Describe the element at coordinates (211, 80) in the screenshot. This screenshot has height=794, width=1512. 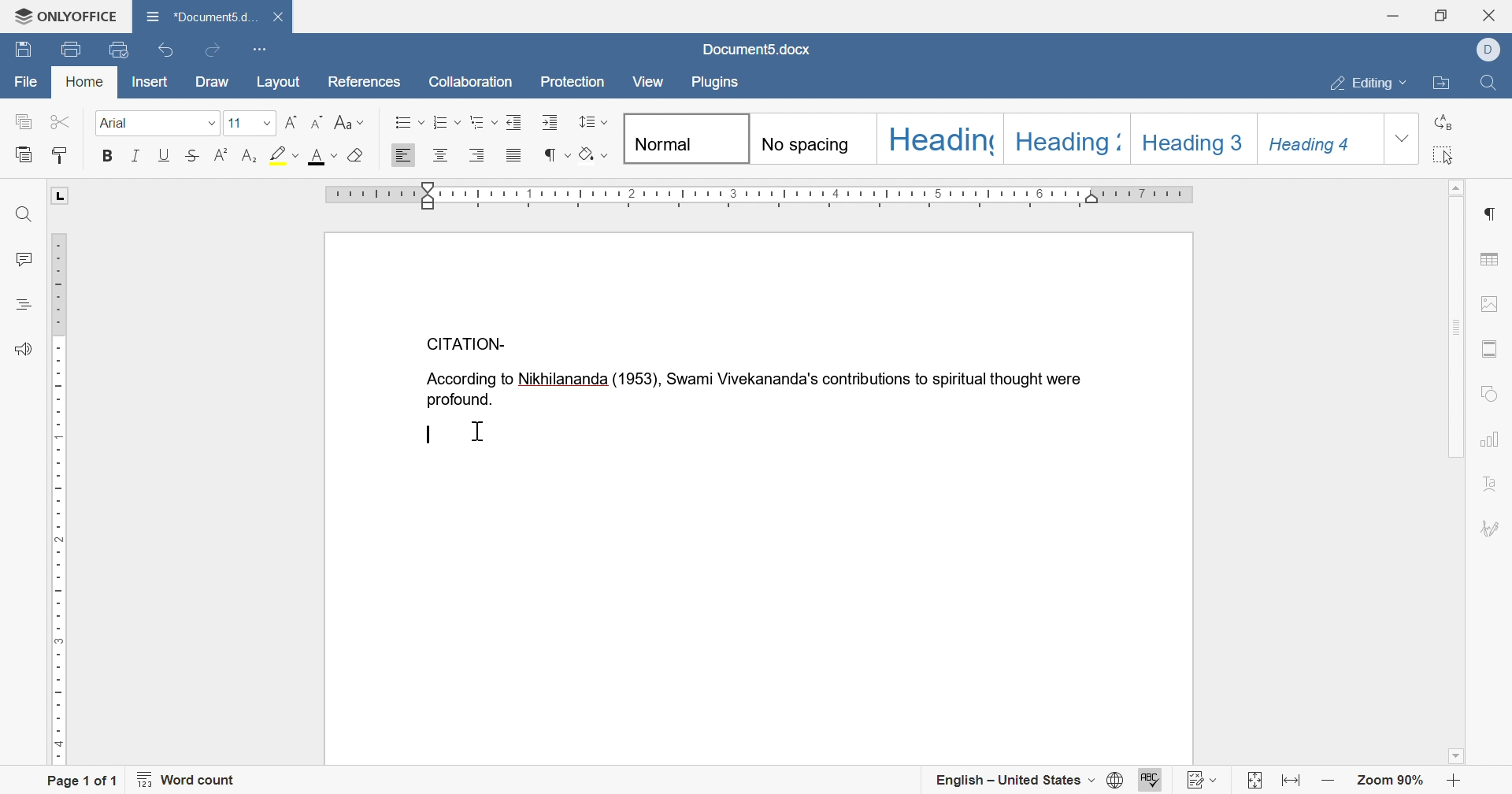
I see `draw` at that location.